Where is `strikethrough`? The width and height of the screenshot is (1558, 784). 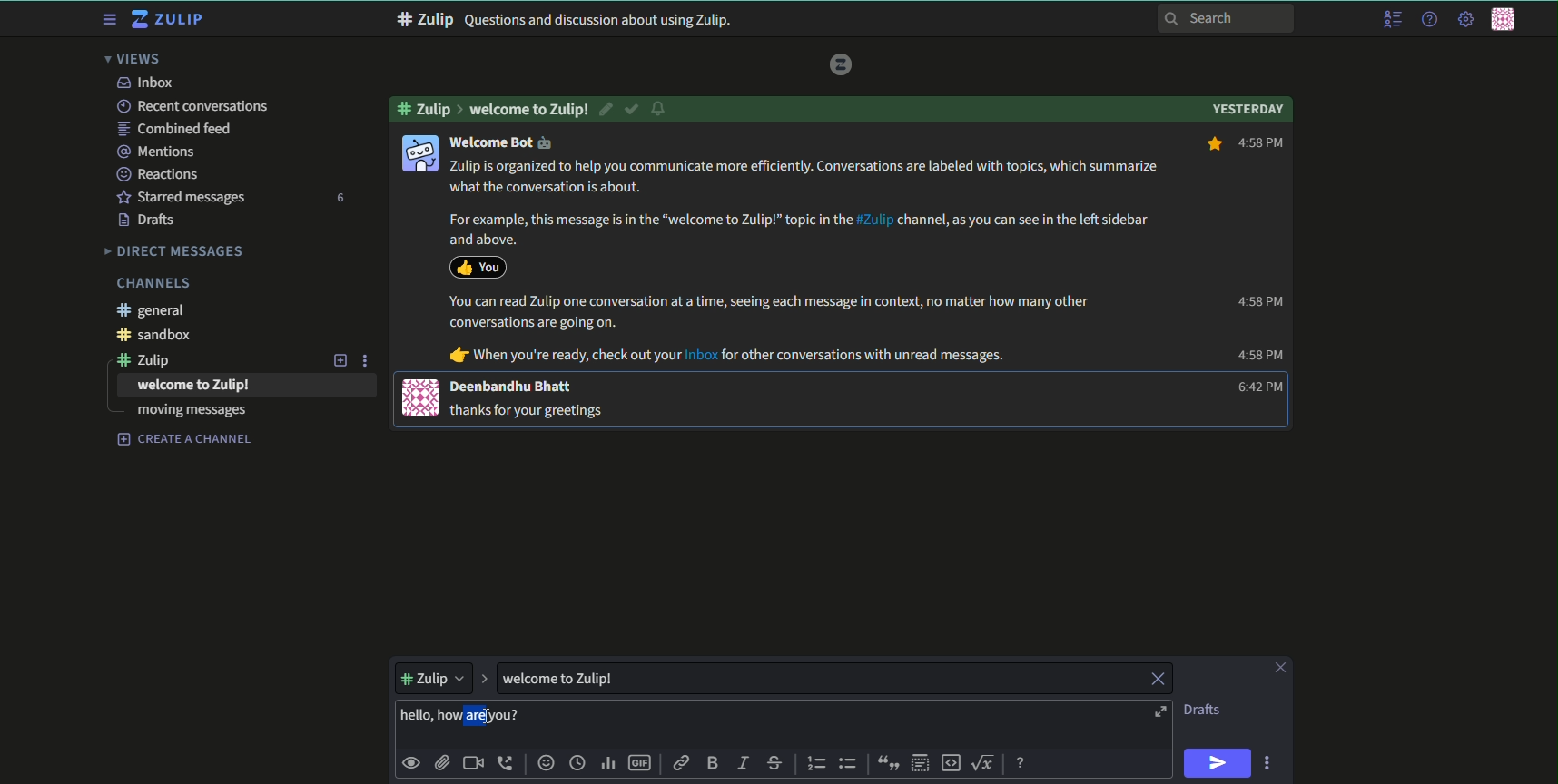 strikethrough is located at coordinates (775, 763).